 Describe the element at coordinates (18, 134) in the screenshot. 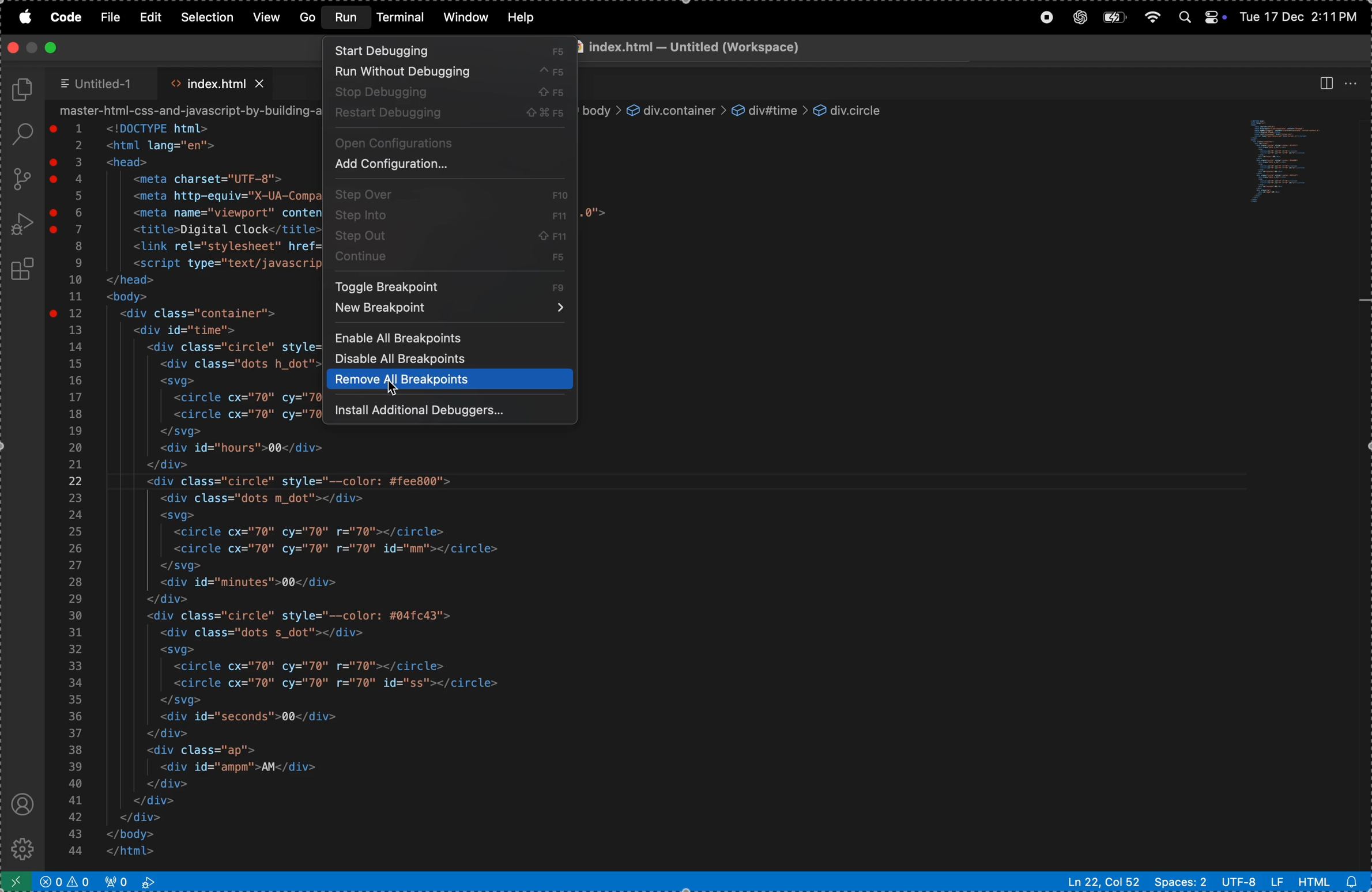

I see `search` at that location.